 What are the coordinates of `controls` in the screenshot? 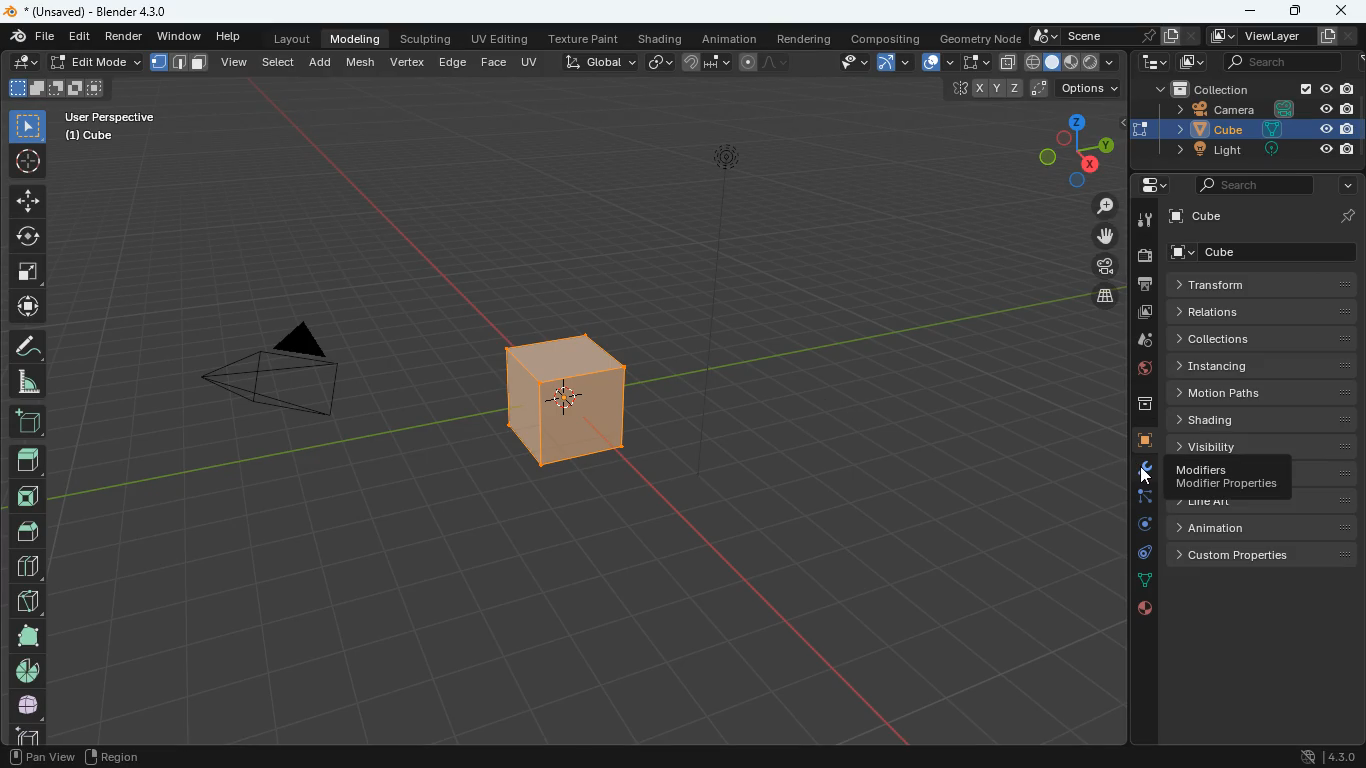 It's located at (1138, 555).